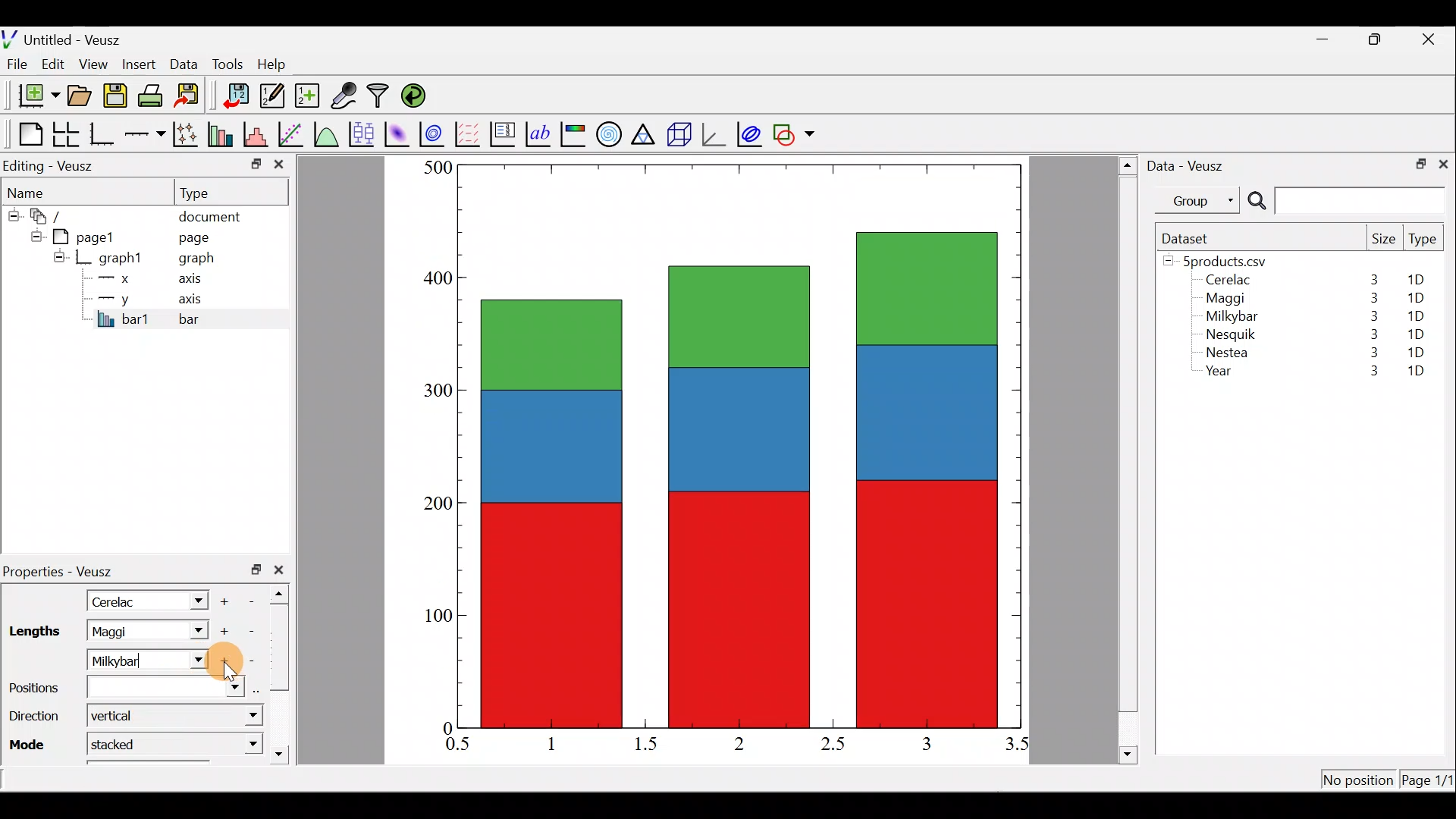 This screenshot has width=1456, height=819. I want to click on View, so click(96, 61).